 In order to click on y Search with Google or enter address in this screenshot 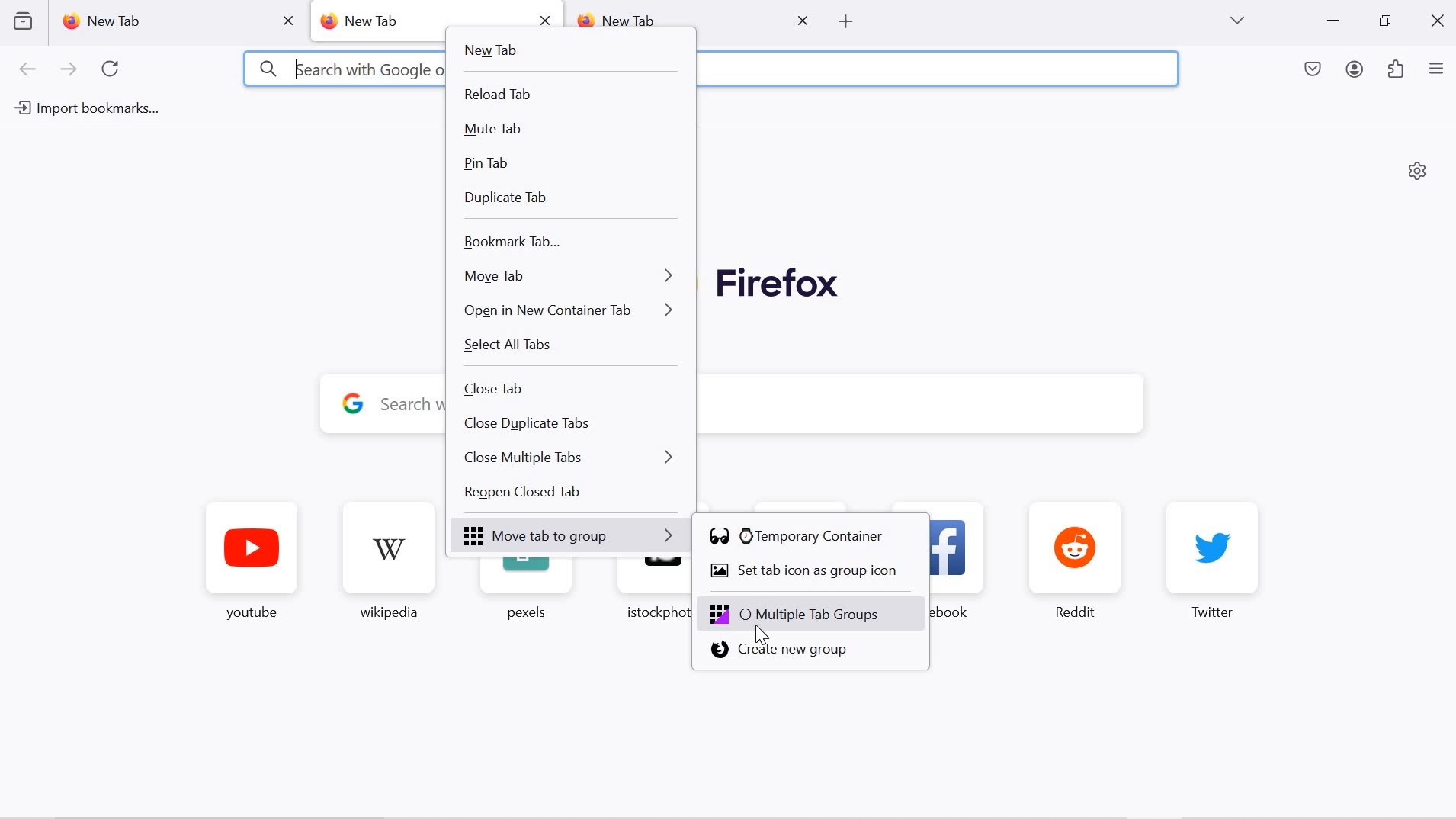, I will do `click(408, 402)`.